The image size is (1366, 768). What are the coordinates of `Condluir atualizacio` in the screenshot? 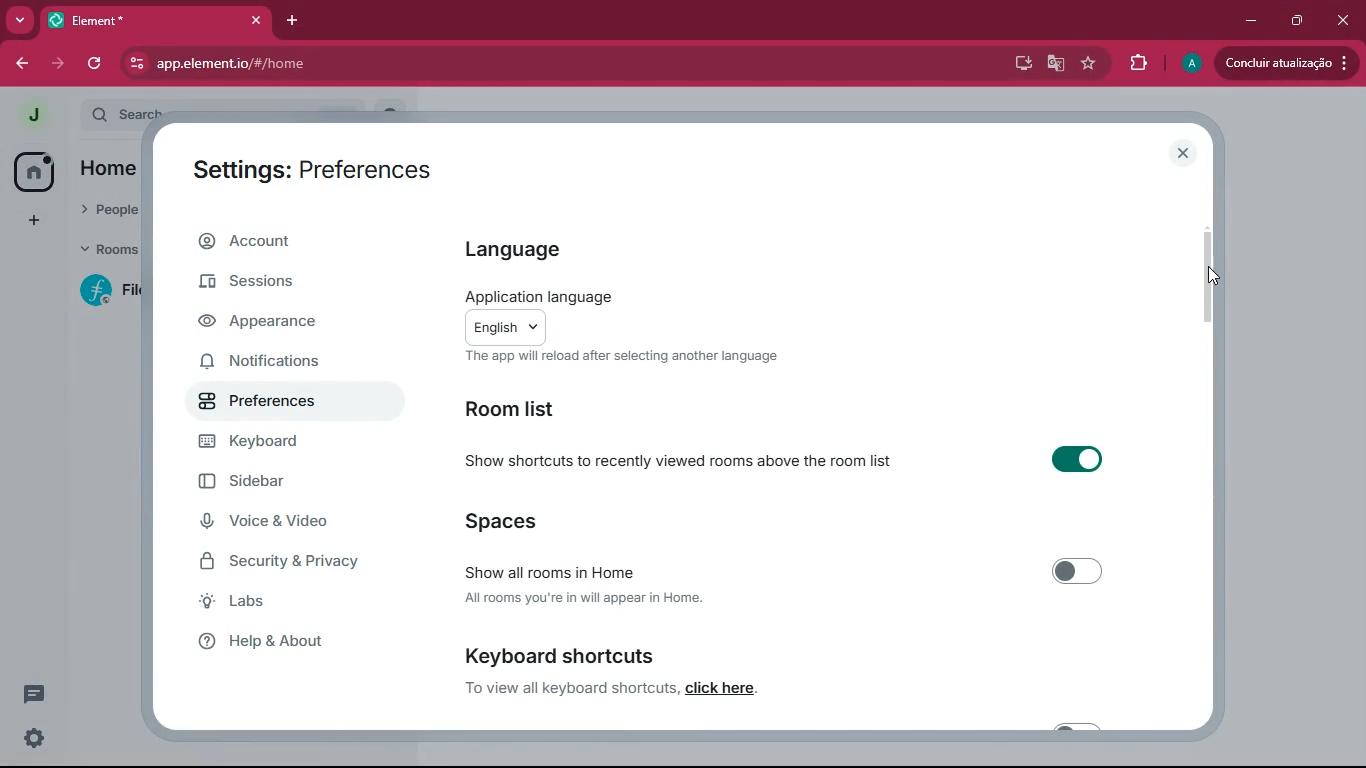 It's located at (1283, 64).